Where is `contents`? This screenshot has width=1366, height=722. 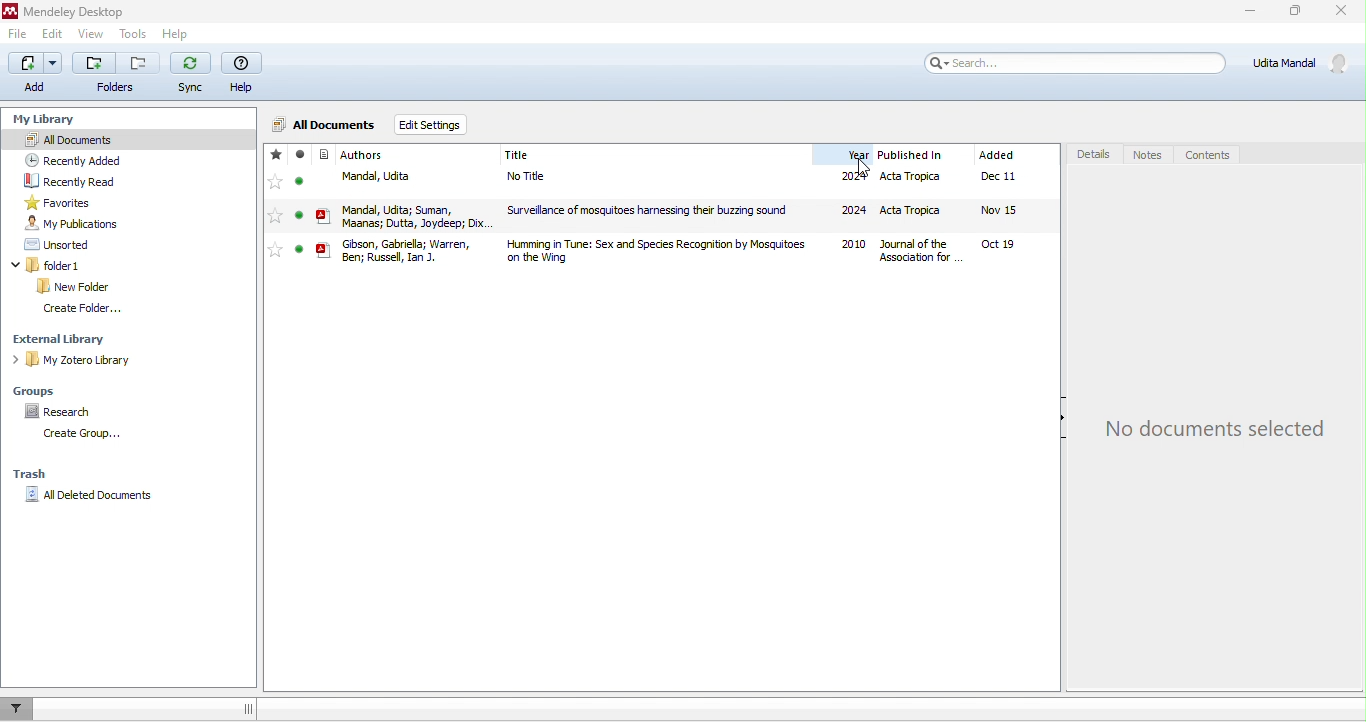 contents is located at coordinates (1212, 155).